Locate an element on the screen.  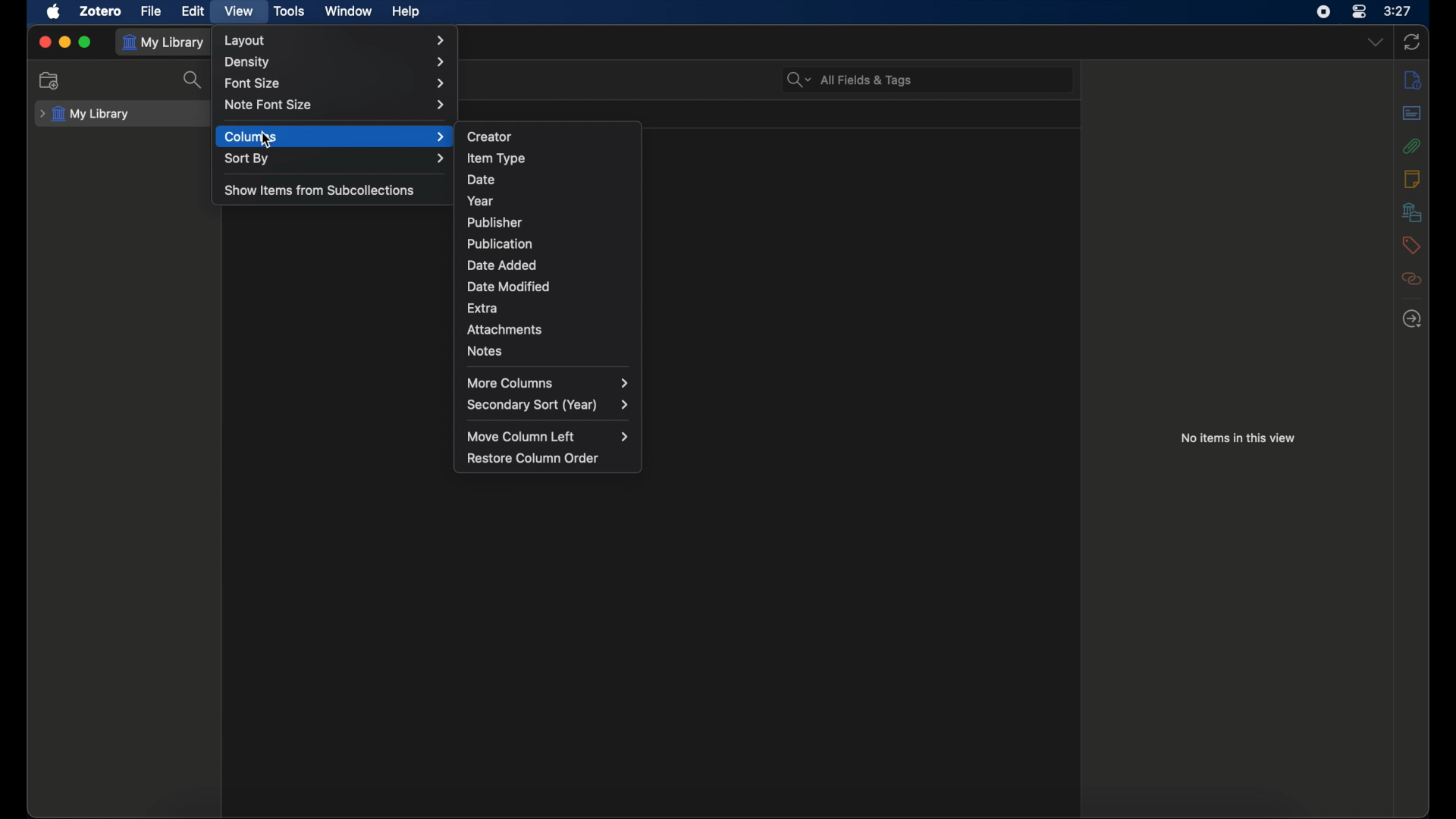
more columns is located at coordinates (549, 383).